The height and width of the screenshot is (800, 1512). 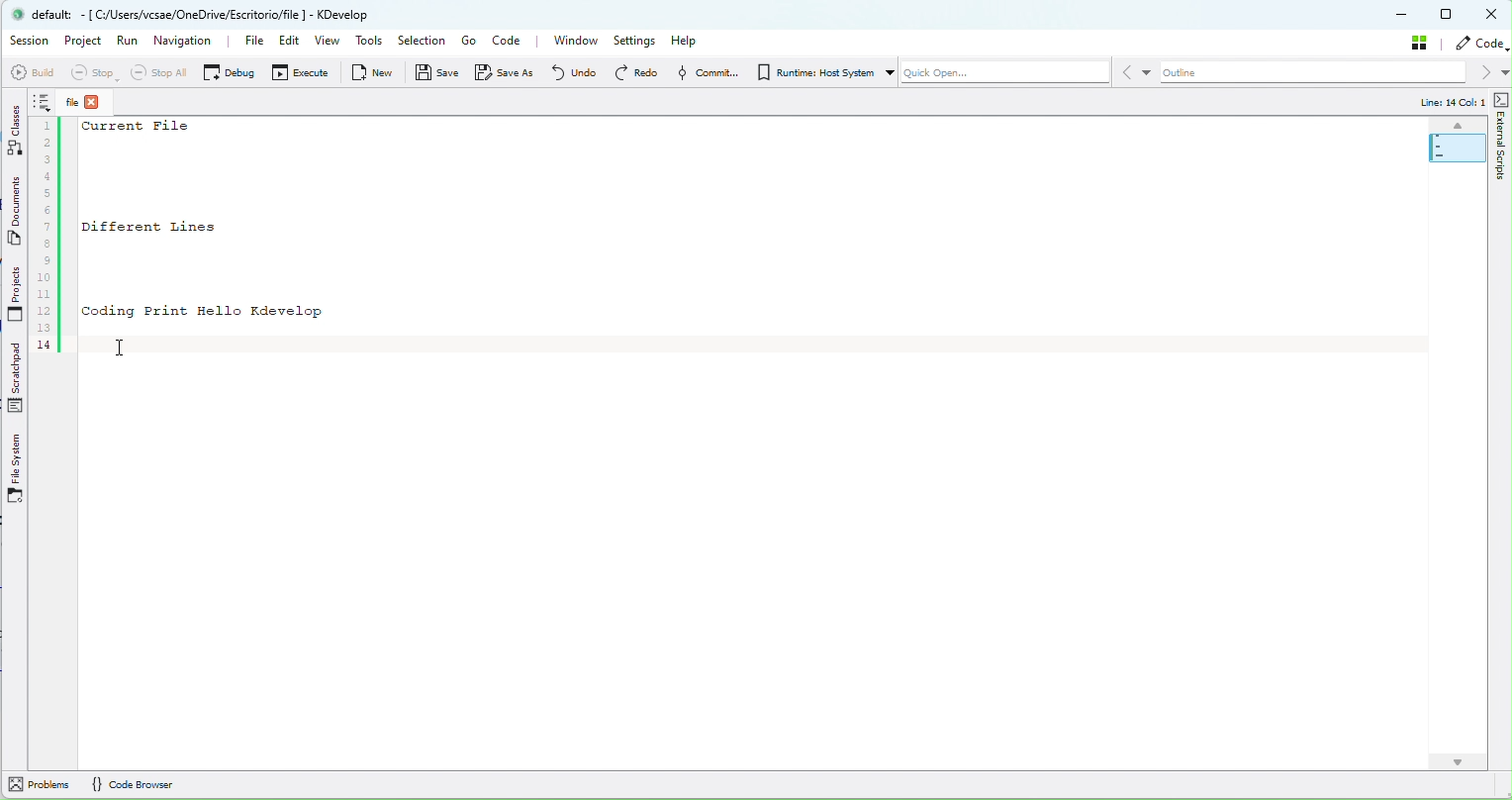 What do you see at coordinates (16, 129) in the screenshot?
I see `Classes` at bounding box center [16, 129].